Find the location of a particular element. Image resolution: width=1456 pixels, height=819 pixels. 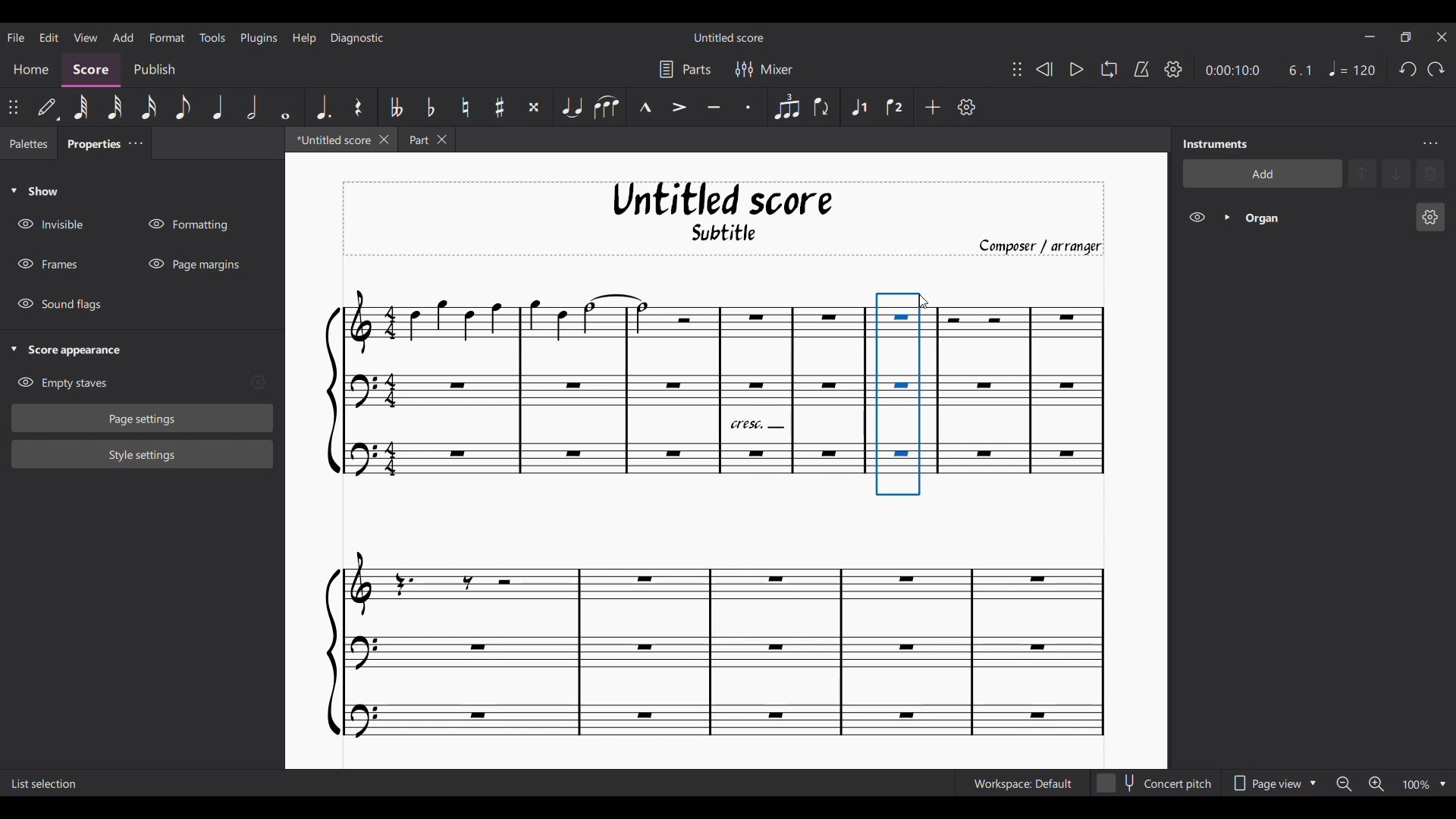

Earlier tab is located at coordinates (426, 139).